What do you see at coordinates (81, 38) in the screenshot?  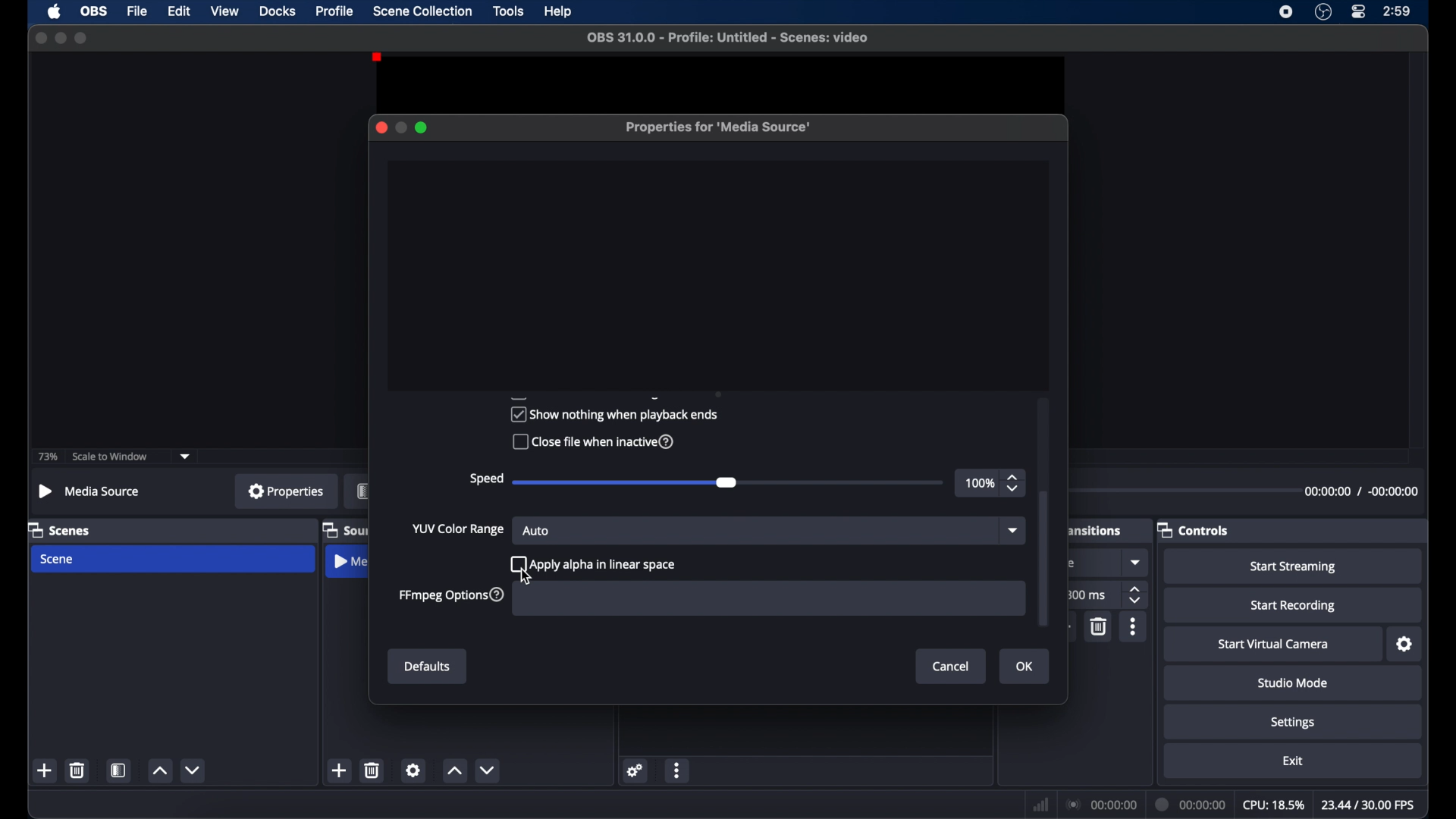 I see `maximize` at bounding box center [81, 38].